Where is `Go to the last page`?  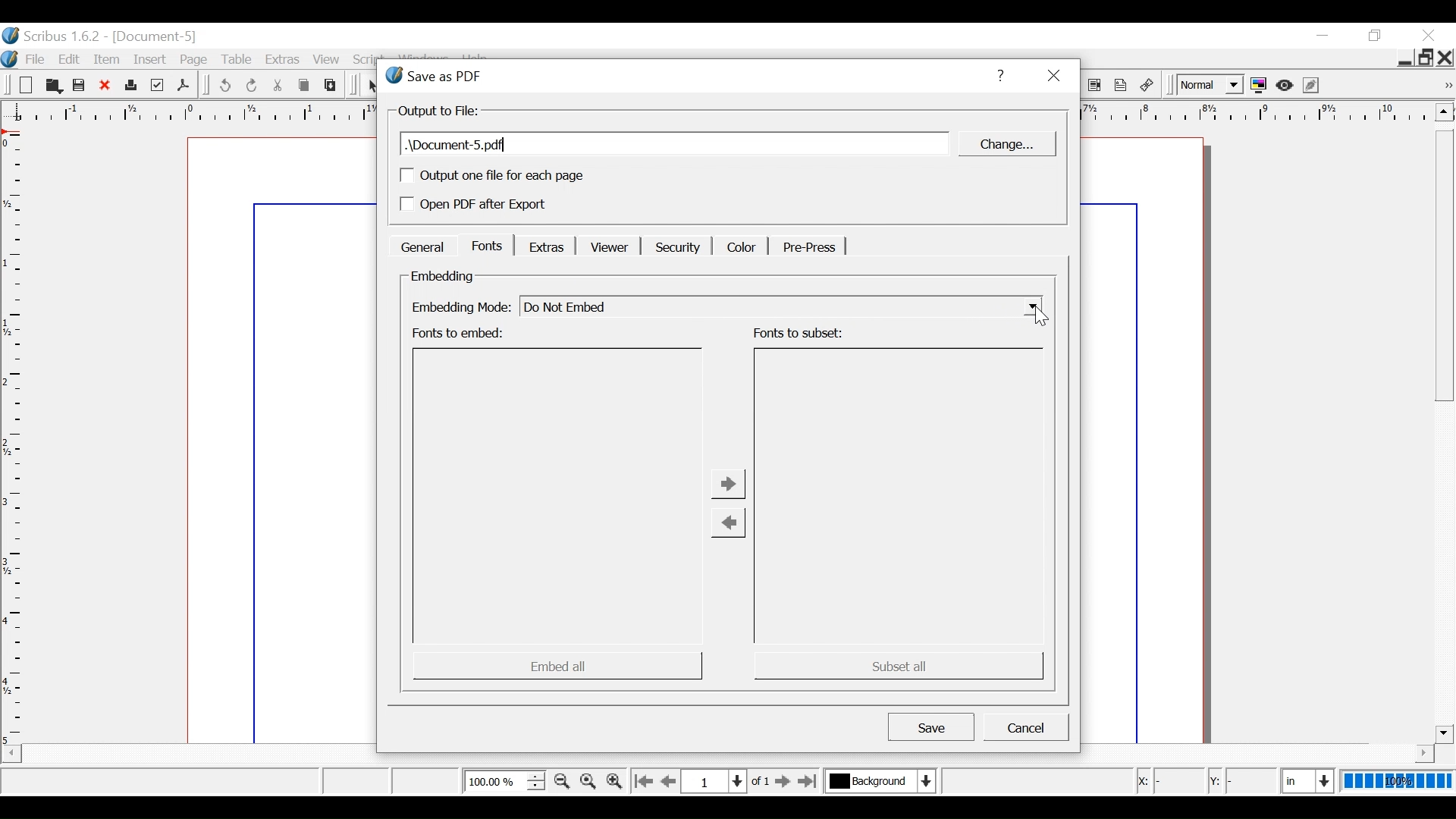 Go to the last page is located at coordinates (809, 781).